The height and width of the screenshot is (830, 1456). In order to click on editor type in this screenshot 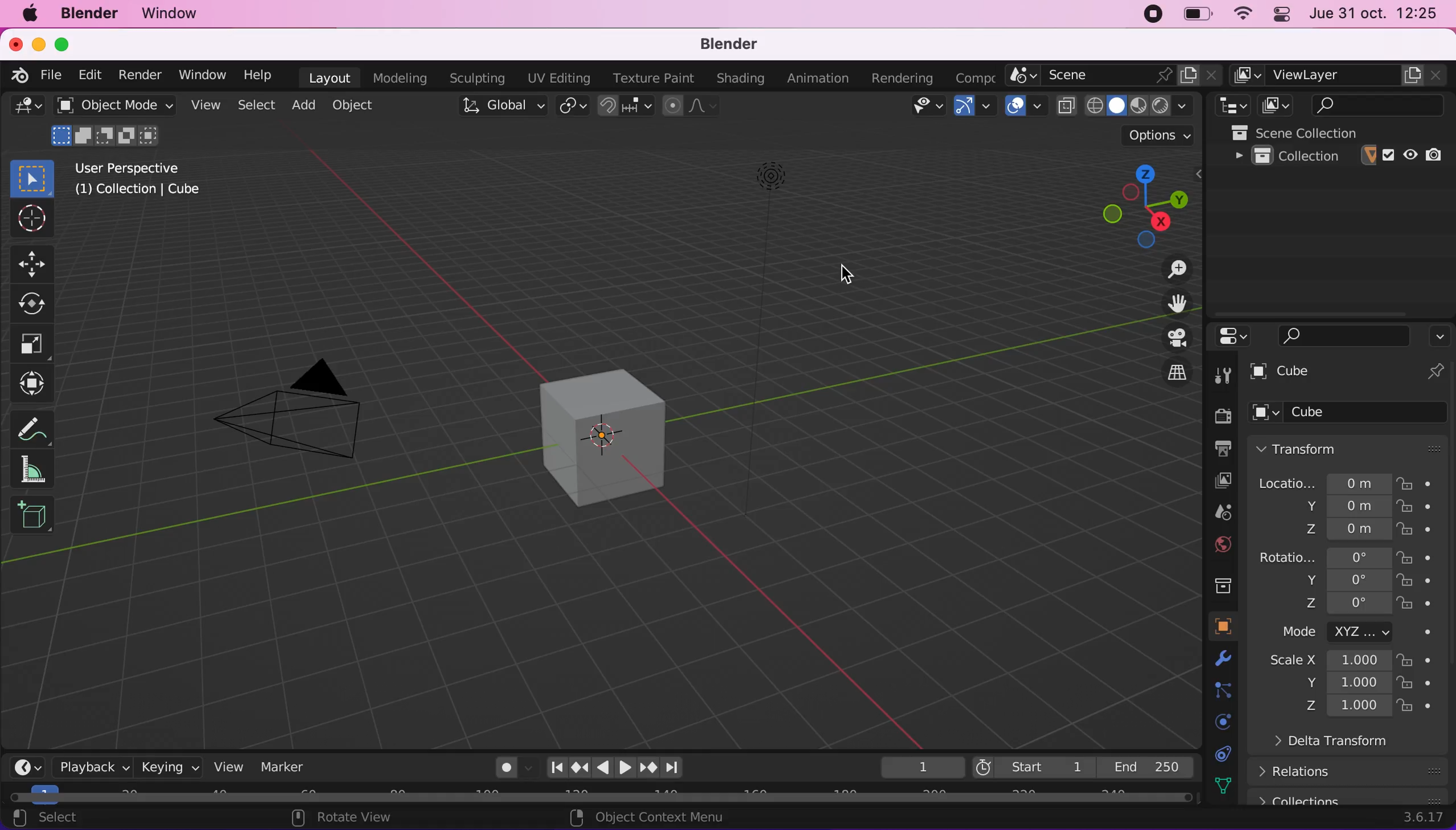, I will do `click(25, 111)`.